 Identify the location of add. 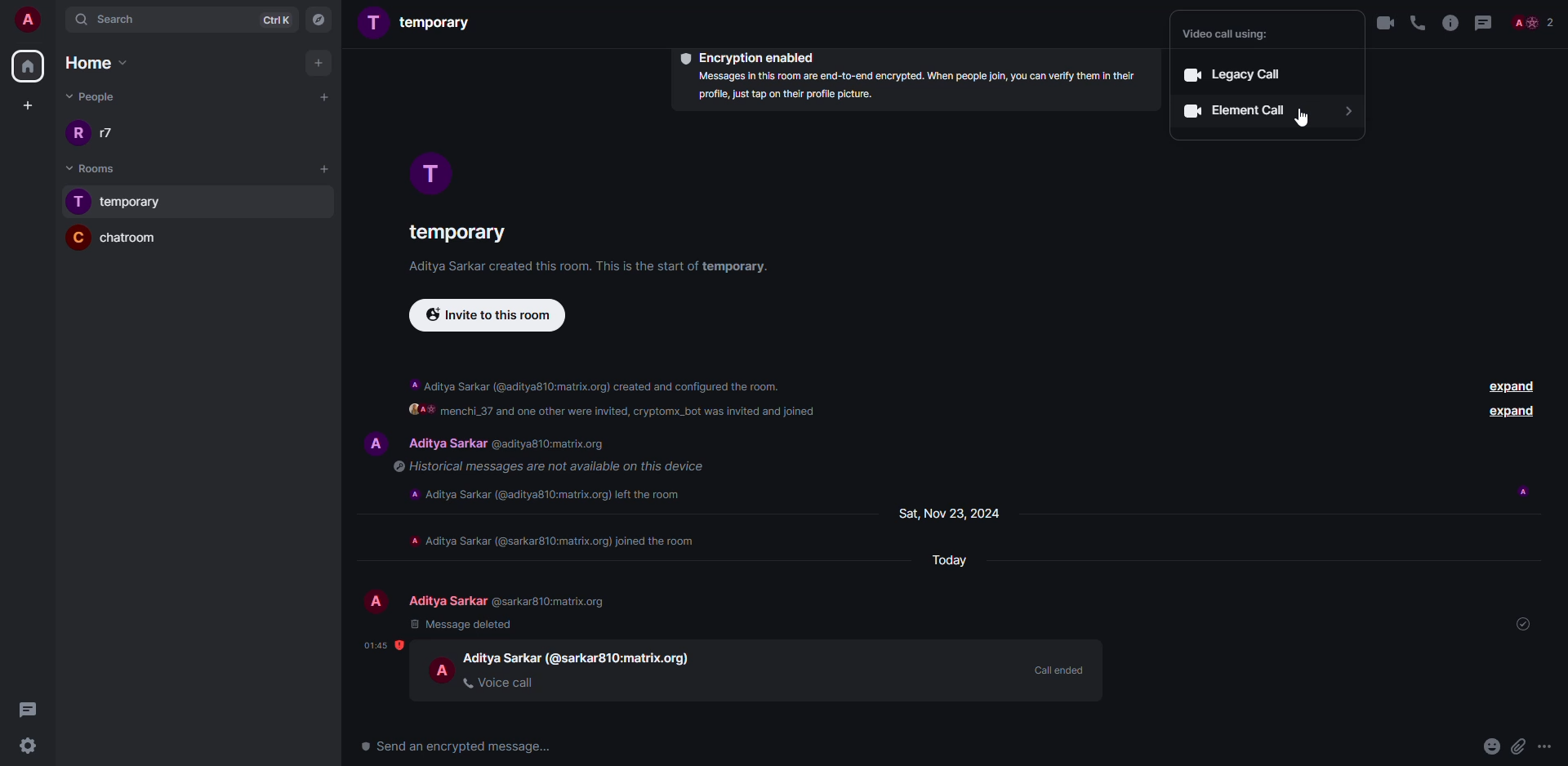
(321, 96).